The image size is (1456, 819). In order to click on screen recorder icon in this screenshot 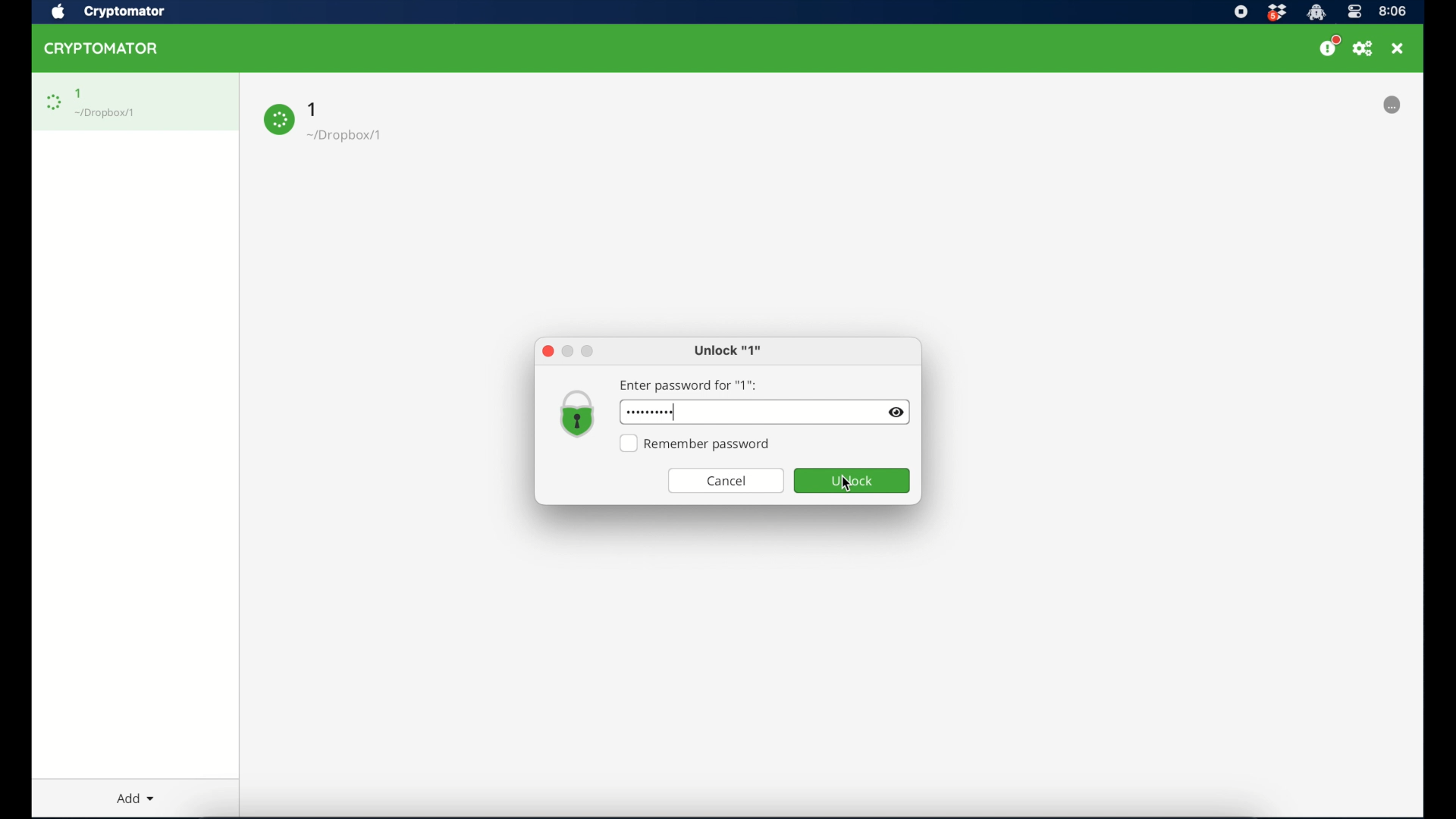, I will do `click(1241, 11)`.